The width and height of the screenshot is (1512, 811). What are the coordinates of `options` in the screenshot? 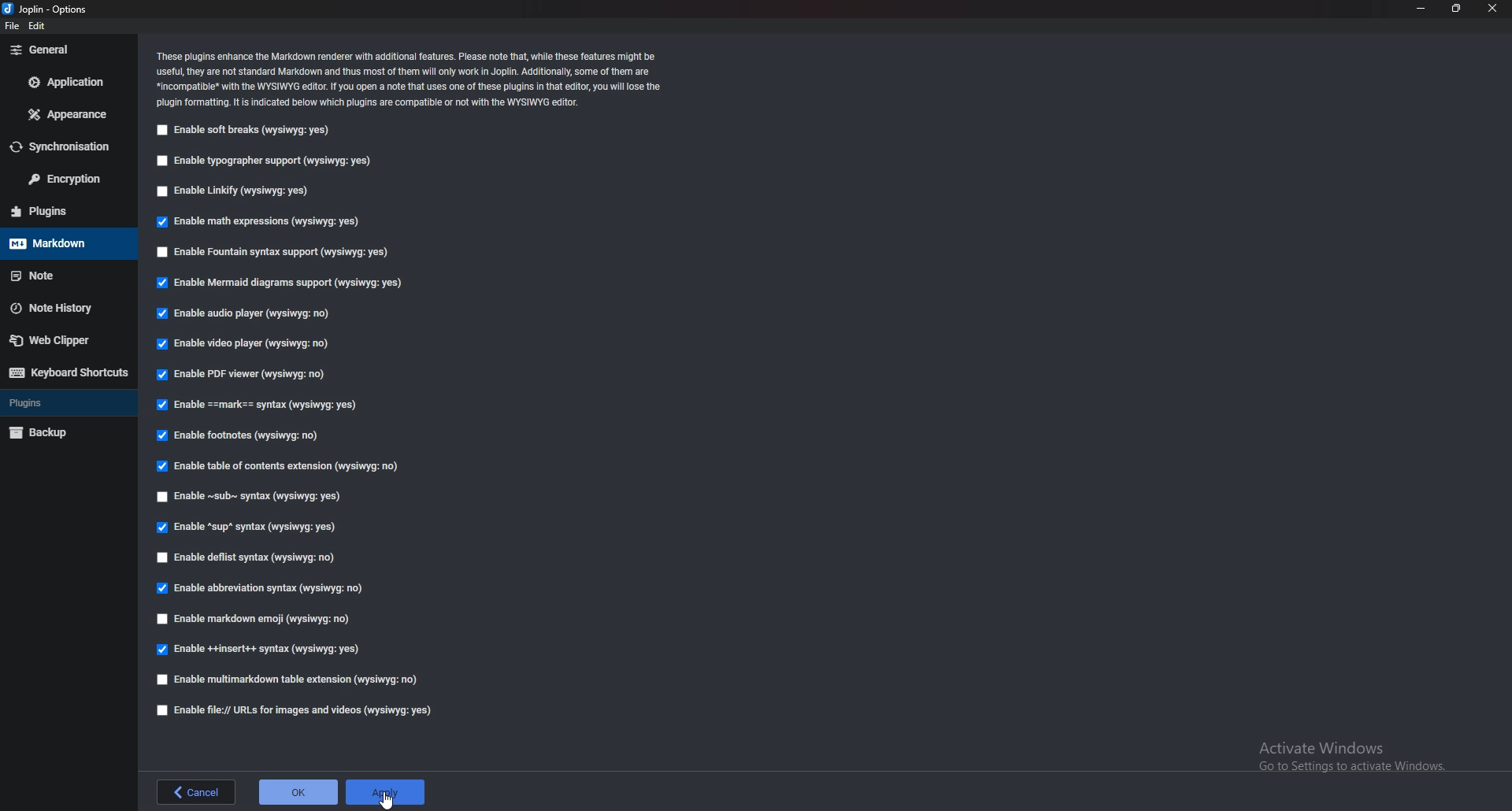 It's located at (51, 8).